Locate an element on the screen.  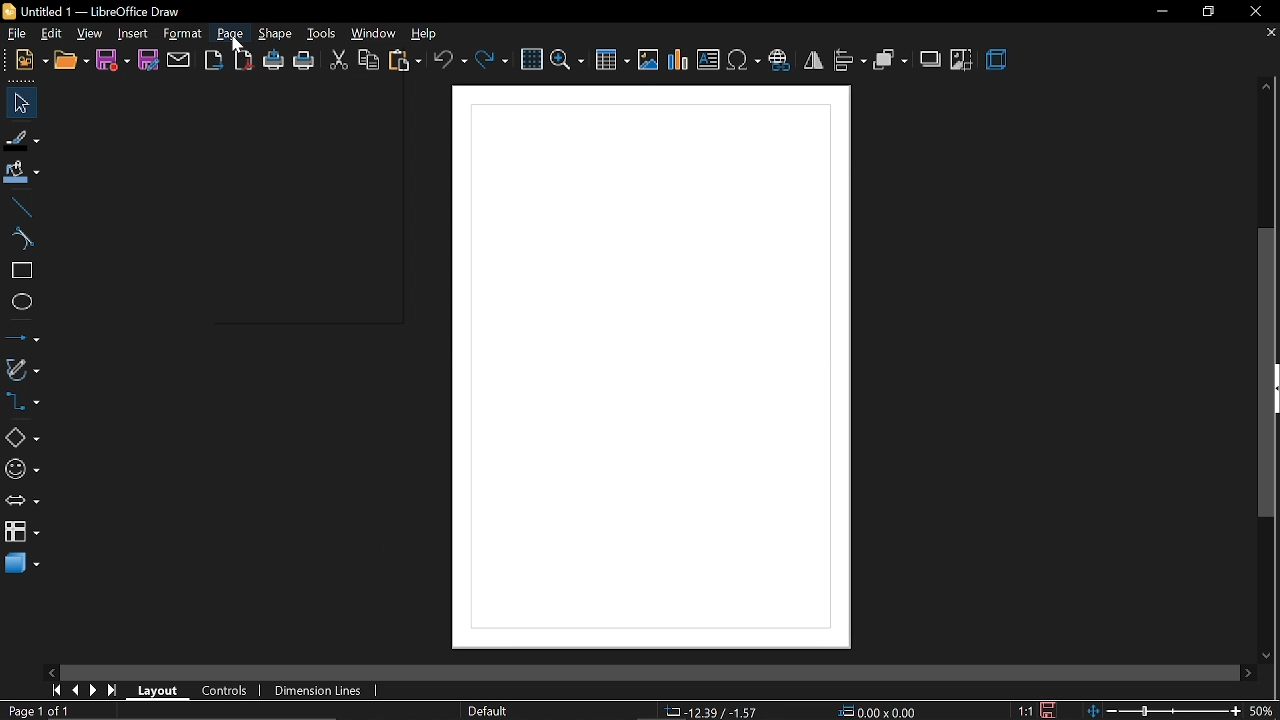
attach is located at coordinates (181, 60).